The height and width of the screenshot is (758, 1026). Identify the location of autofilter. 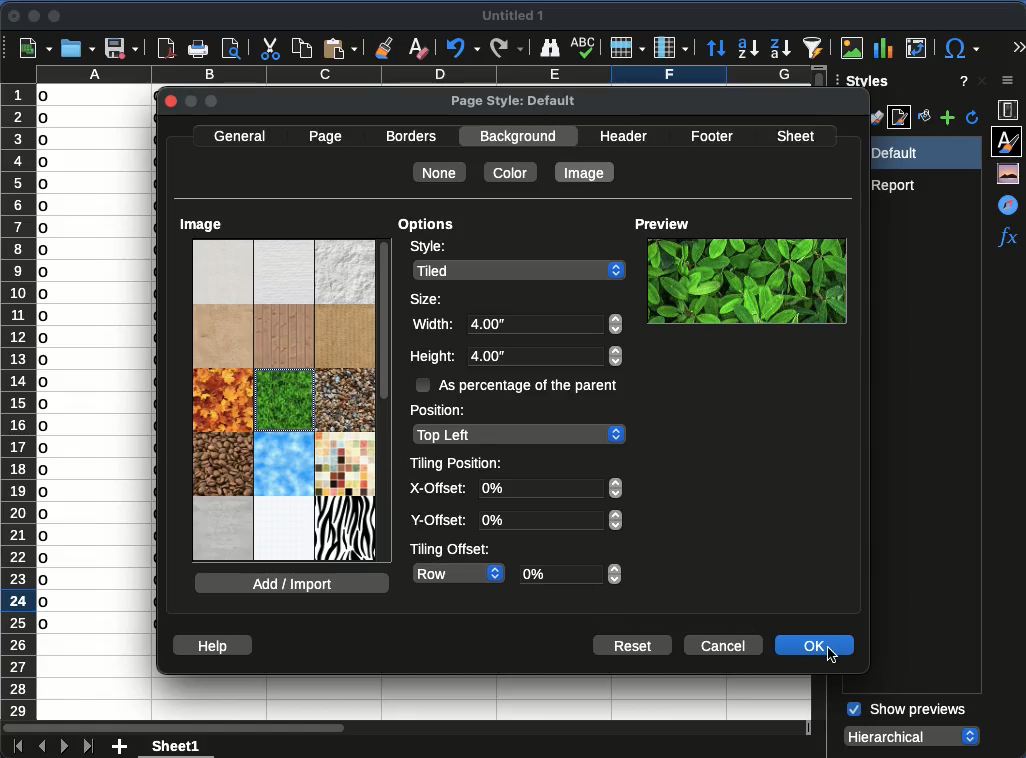
(814, 46).